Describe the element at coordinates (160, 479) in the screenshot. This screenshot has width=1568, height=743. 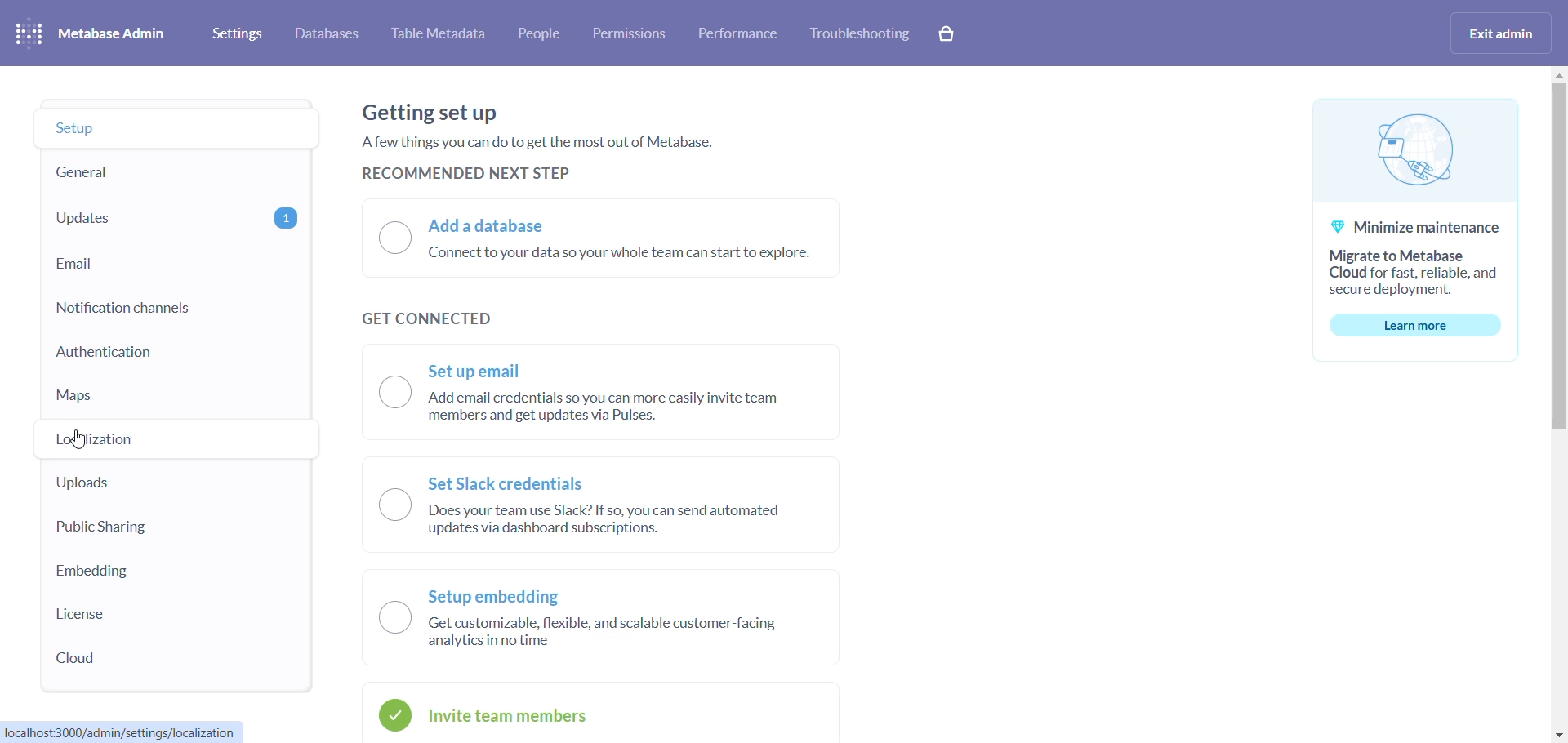
I see `uploads` at that location.